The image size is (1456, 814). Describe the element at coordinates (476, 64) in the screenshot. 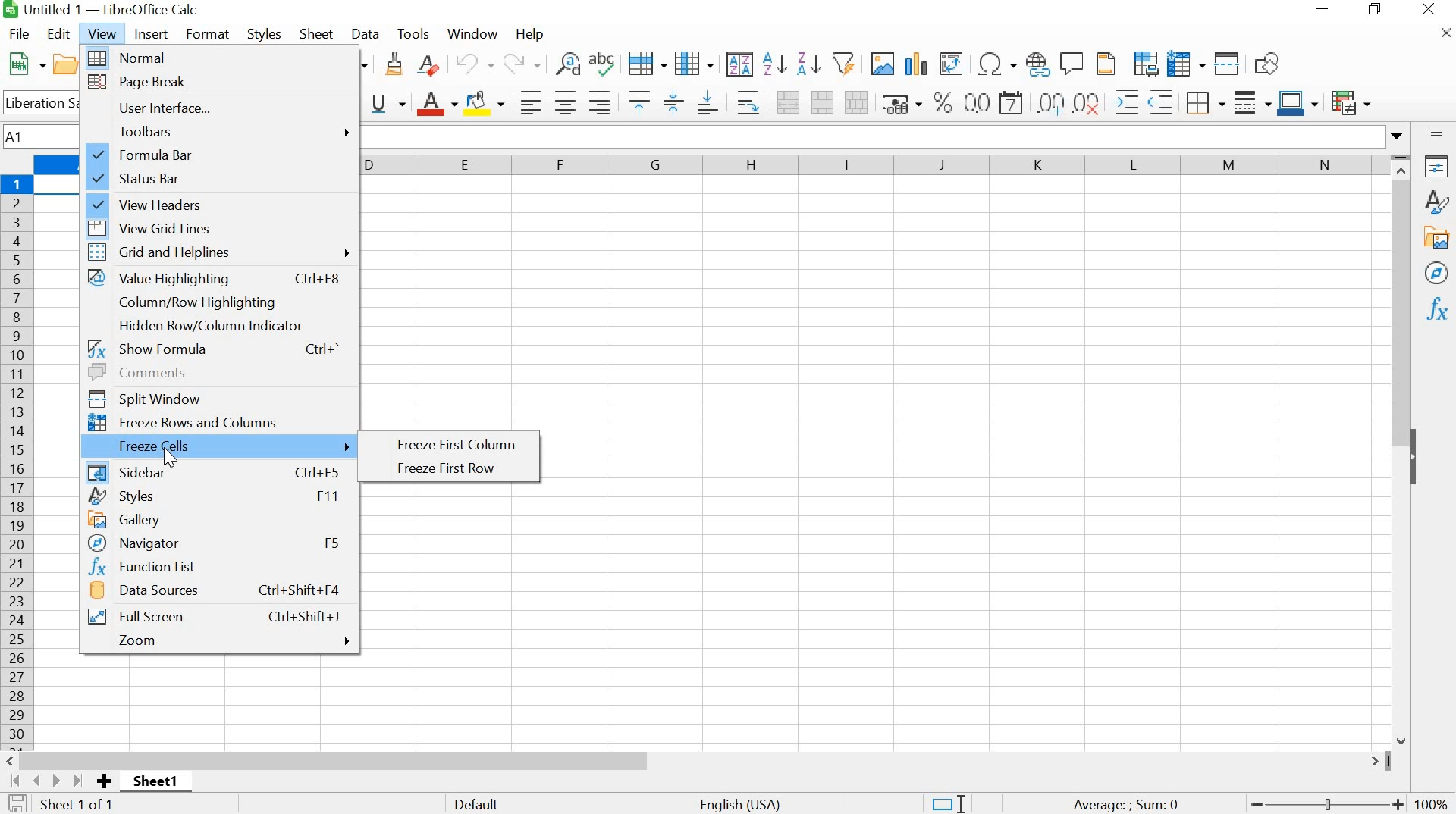

I see `UNDO` at that location.